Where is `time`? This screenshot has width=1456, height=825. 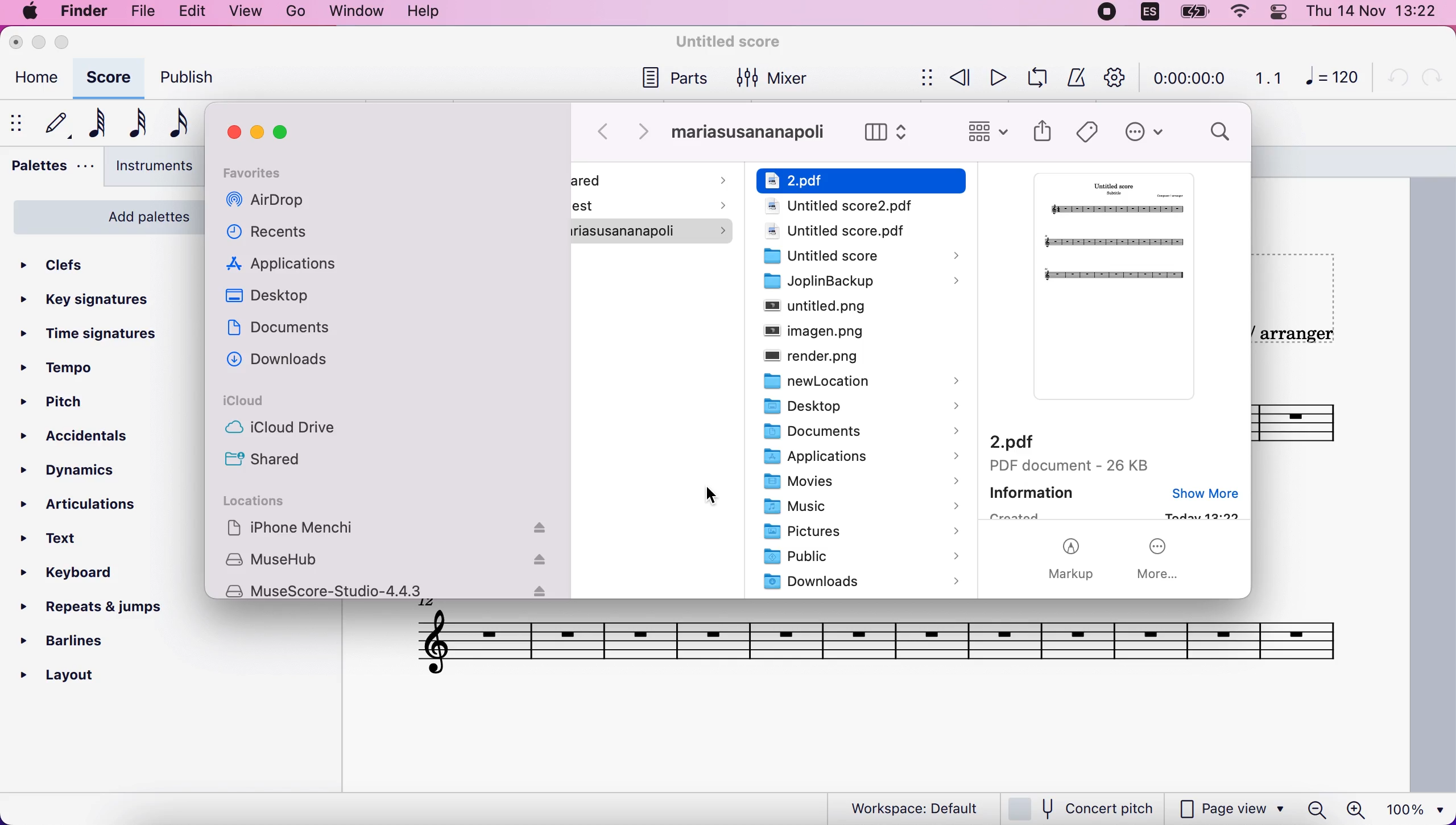
time is located at coordinates (1191, 77).